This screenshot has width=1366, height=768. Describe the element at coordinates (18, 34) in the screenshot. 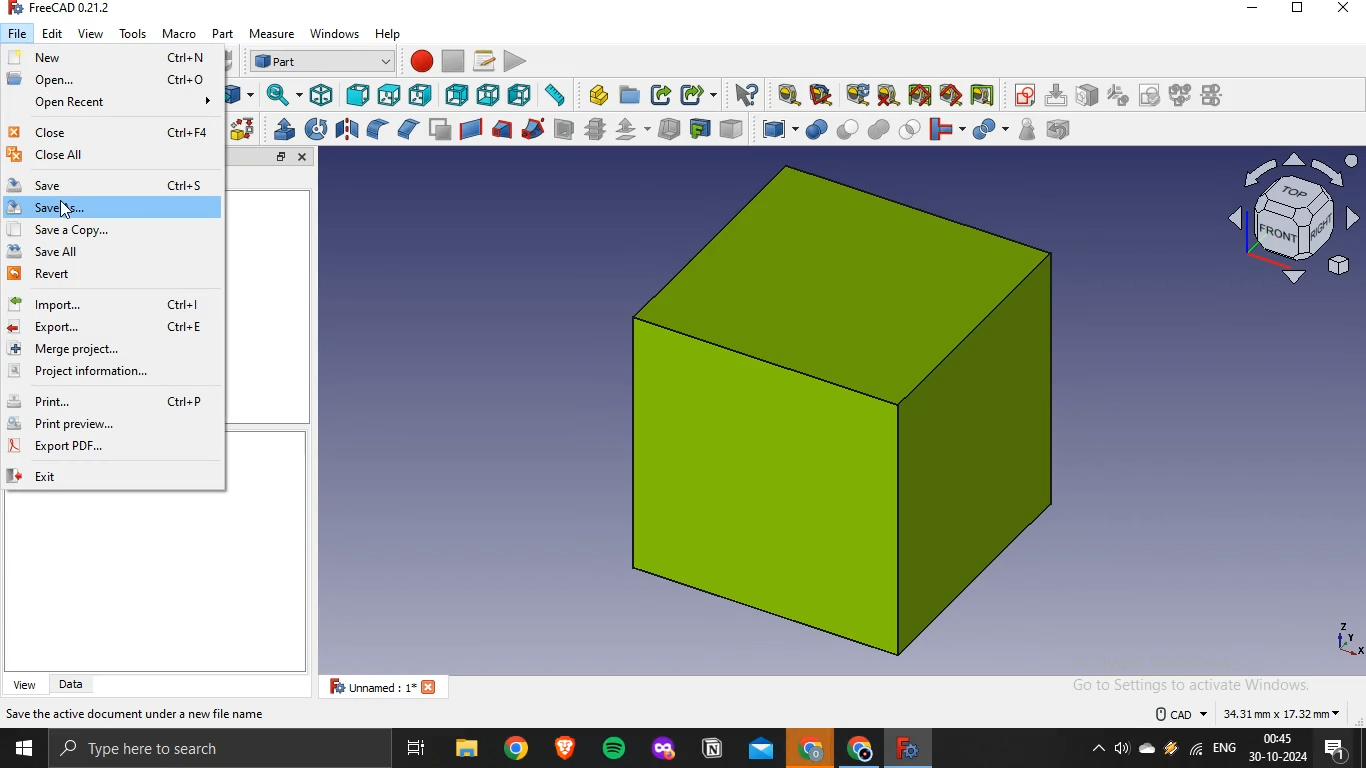

I see `file` at that location.